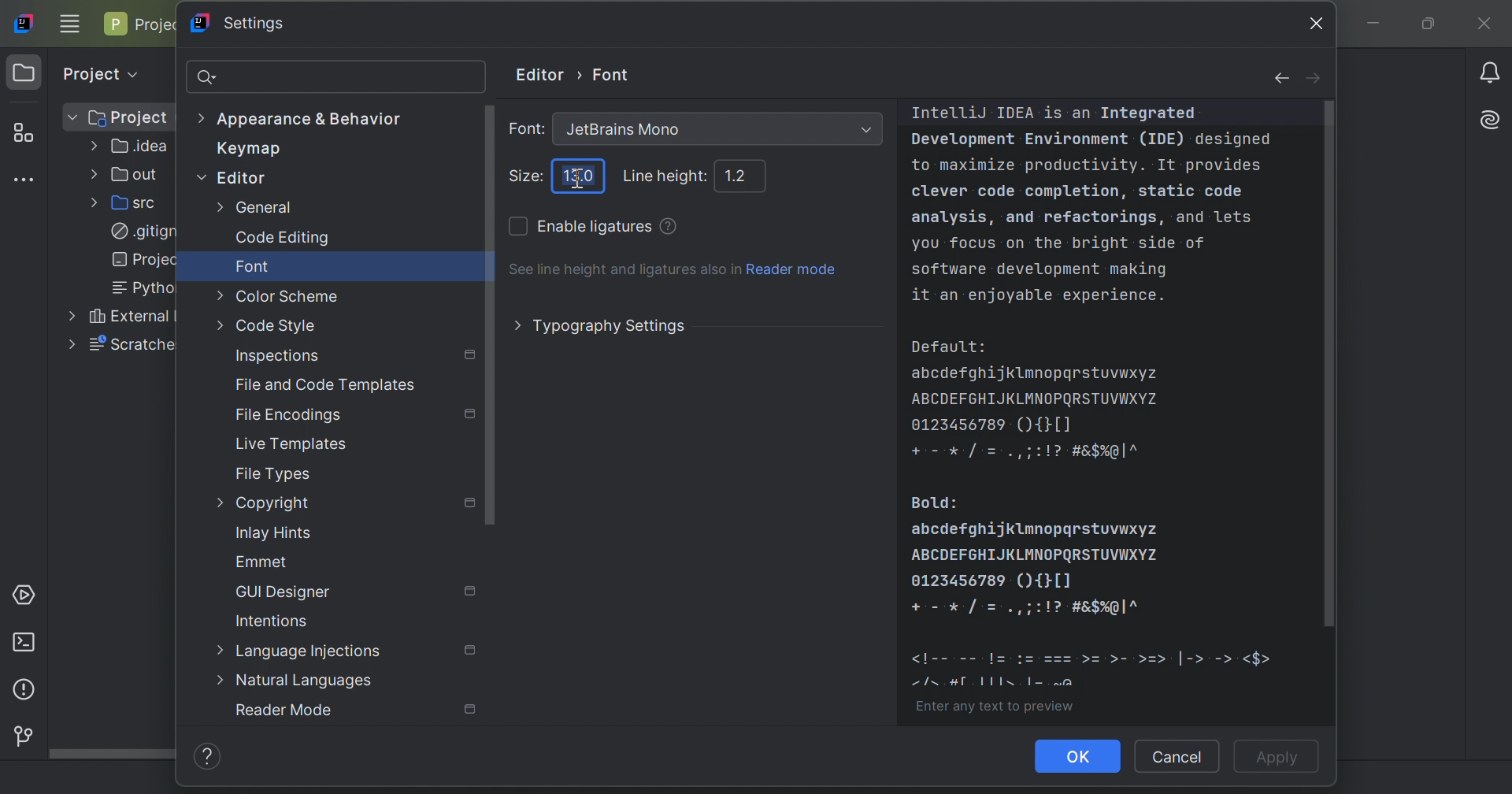 This screenshot has height=794, width=1512. Describe the element at coordinates (470, 590) in the screenshot. I see `Settings marked with this icon are only applied to the current project. Non-marked settings are applied to all projects.` at that location.